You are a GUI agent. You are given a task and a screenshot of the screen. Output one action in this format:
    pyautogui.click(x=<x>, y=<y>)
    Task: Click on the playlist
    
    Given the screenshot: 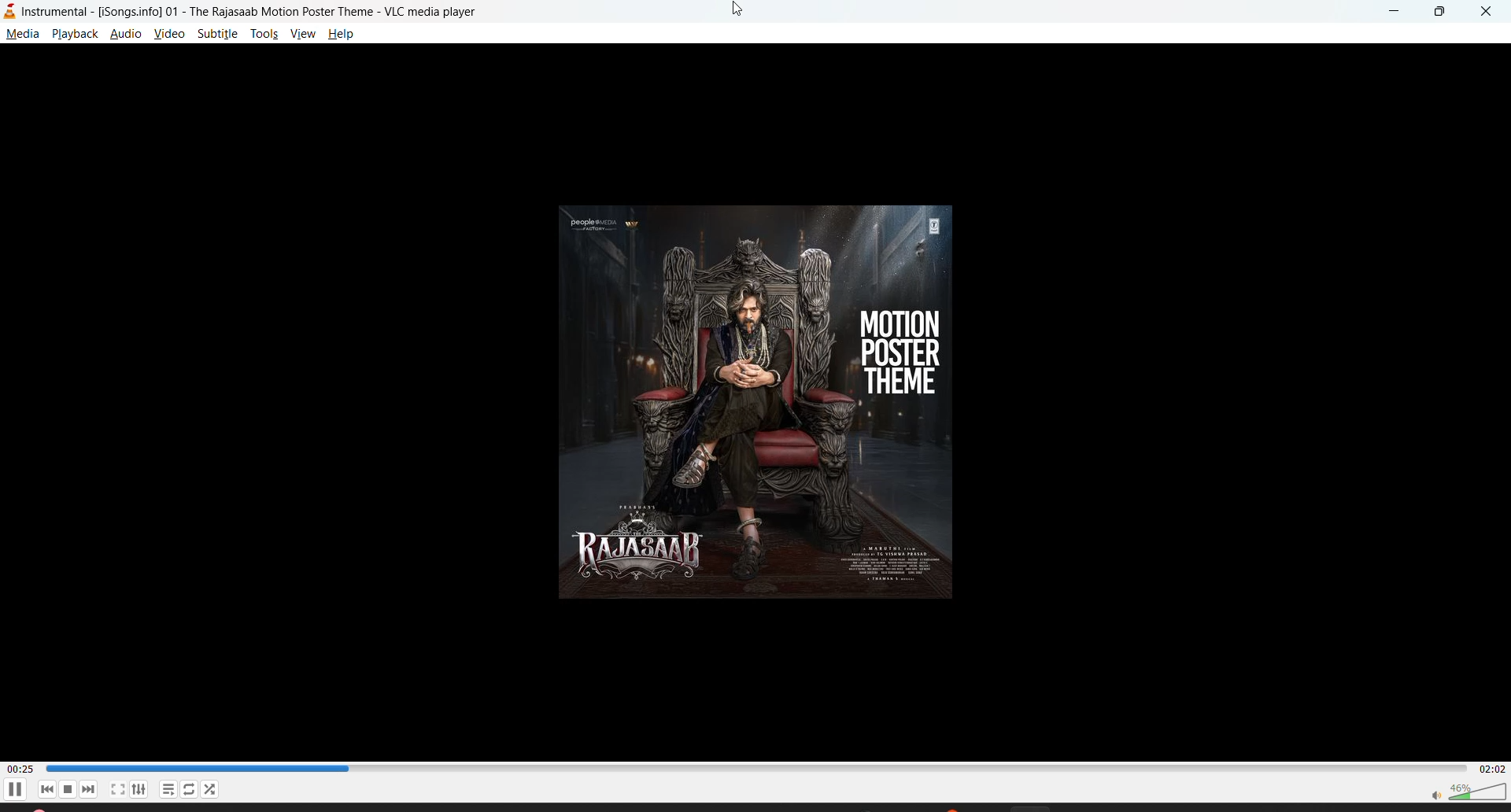 What is the action you would take?
    pyautogui.click(x=168, y=788)
    